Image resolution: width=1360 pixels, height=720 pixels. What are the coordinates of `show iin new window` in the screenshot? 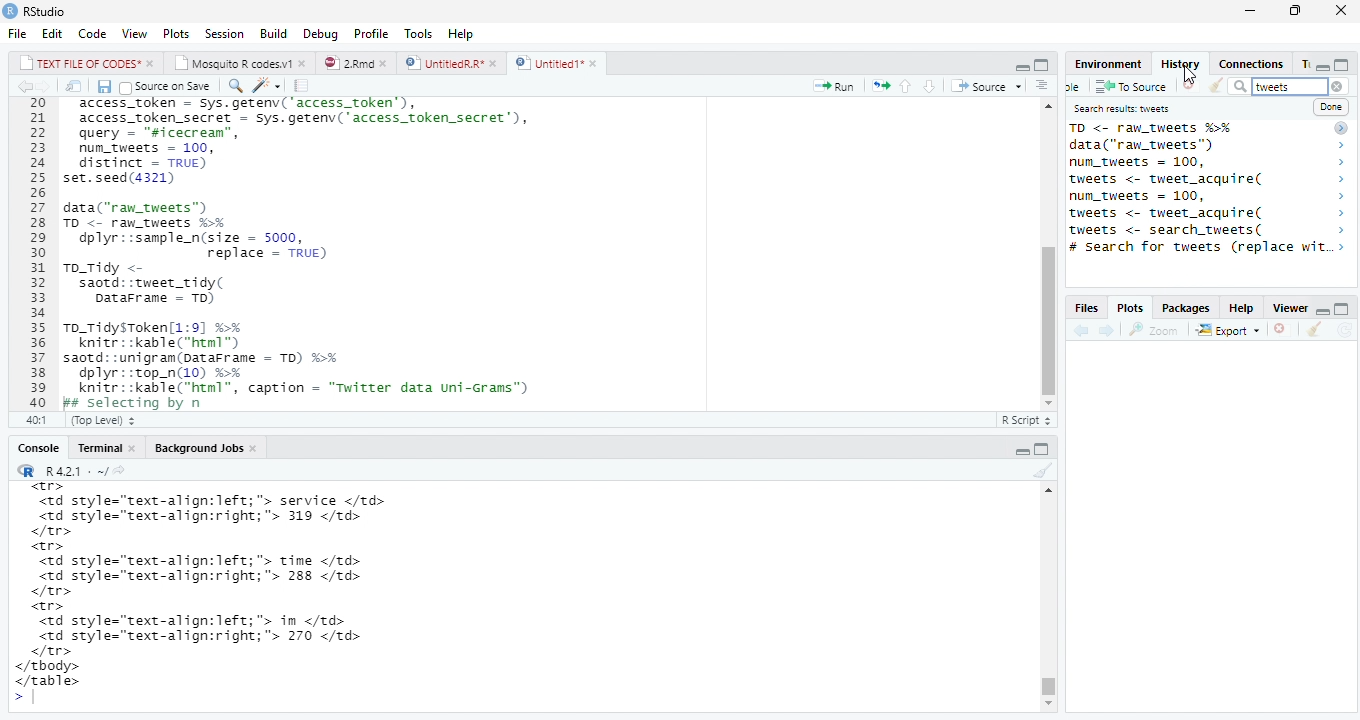 It's located at (73, 86).